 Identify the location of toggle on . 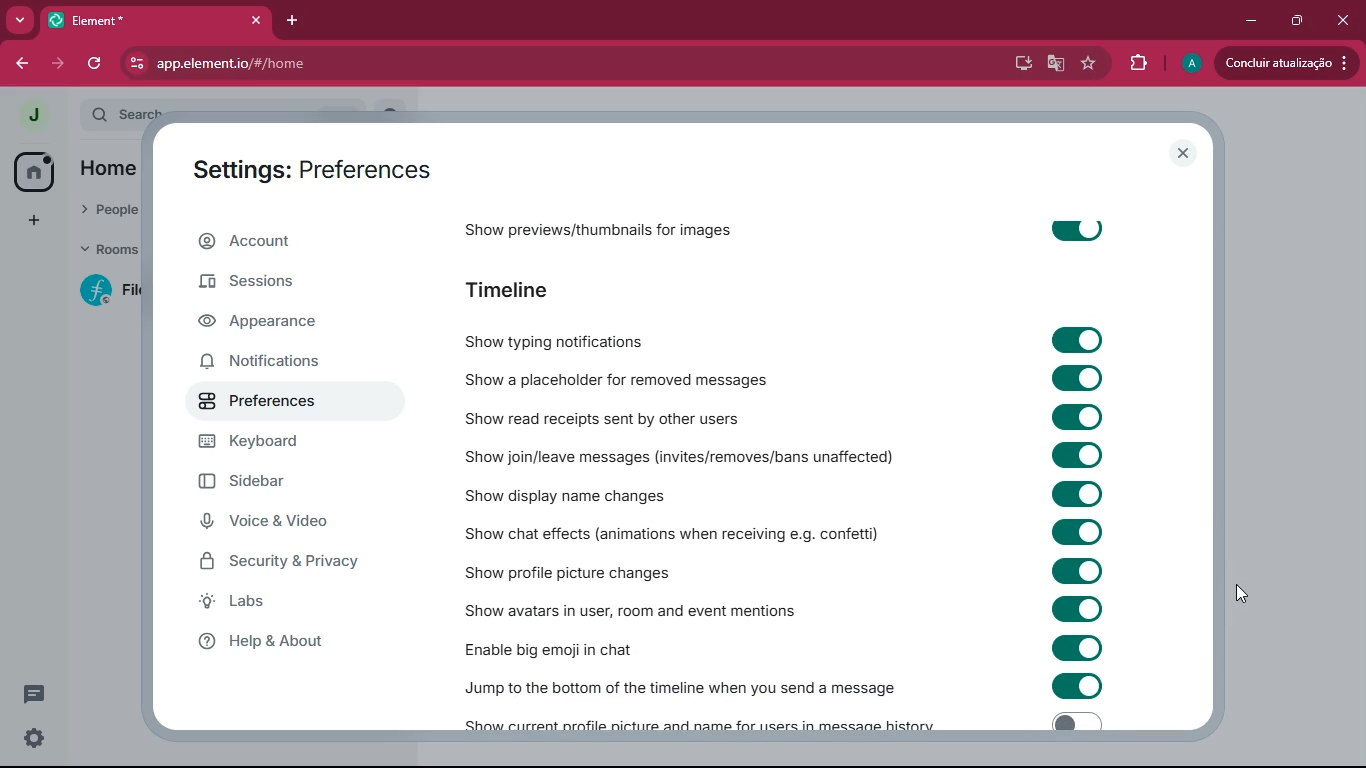
(1073, 685).